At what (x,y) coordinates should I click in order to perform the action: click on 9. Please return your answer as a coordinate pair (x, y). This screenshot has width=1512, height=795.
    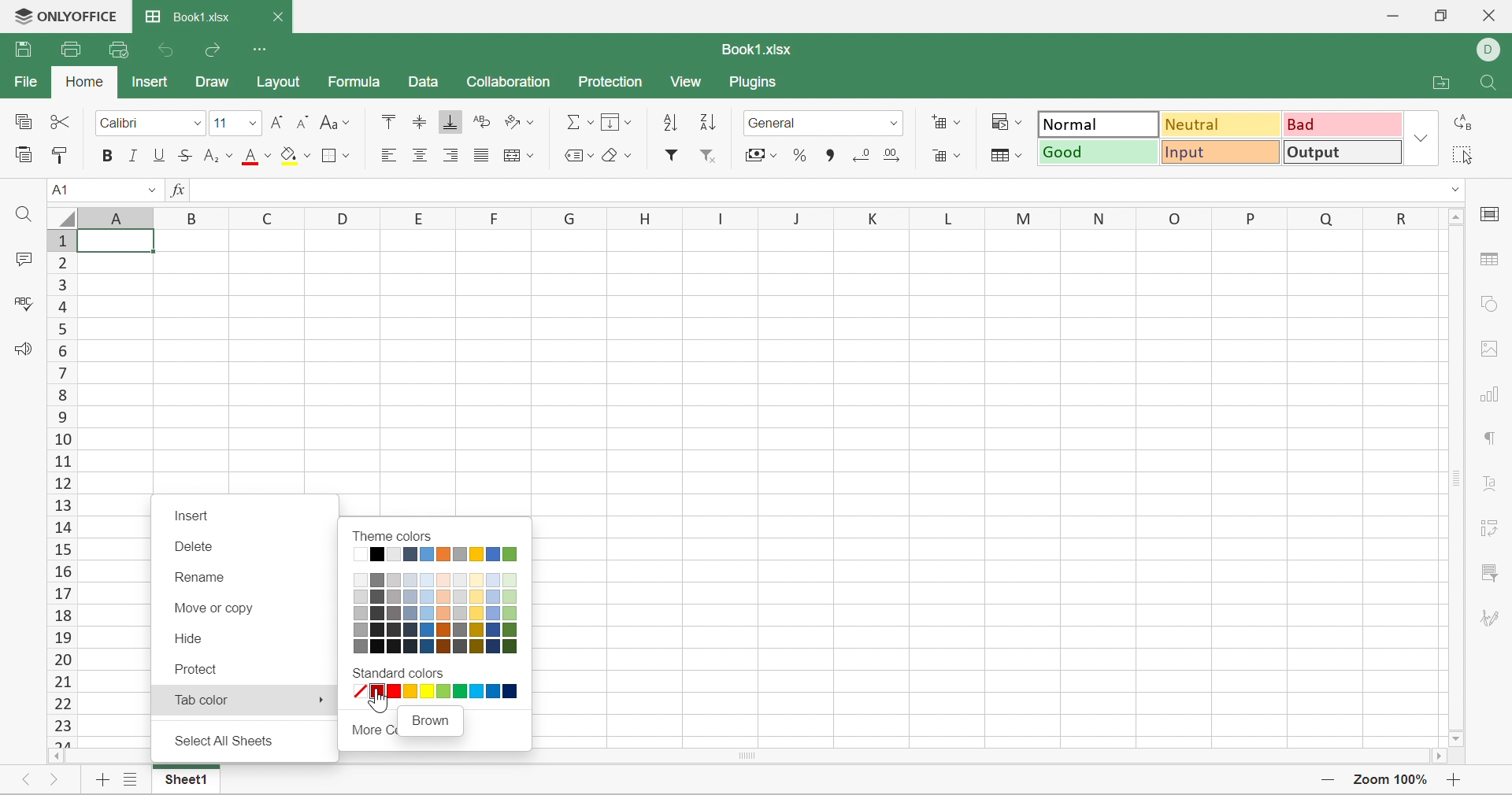
    Looking at the image, I should click on (65, 419).